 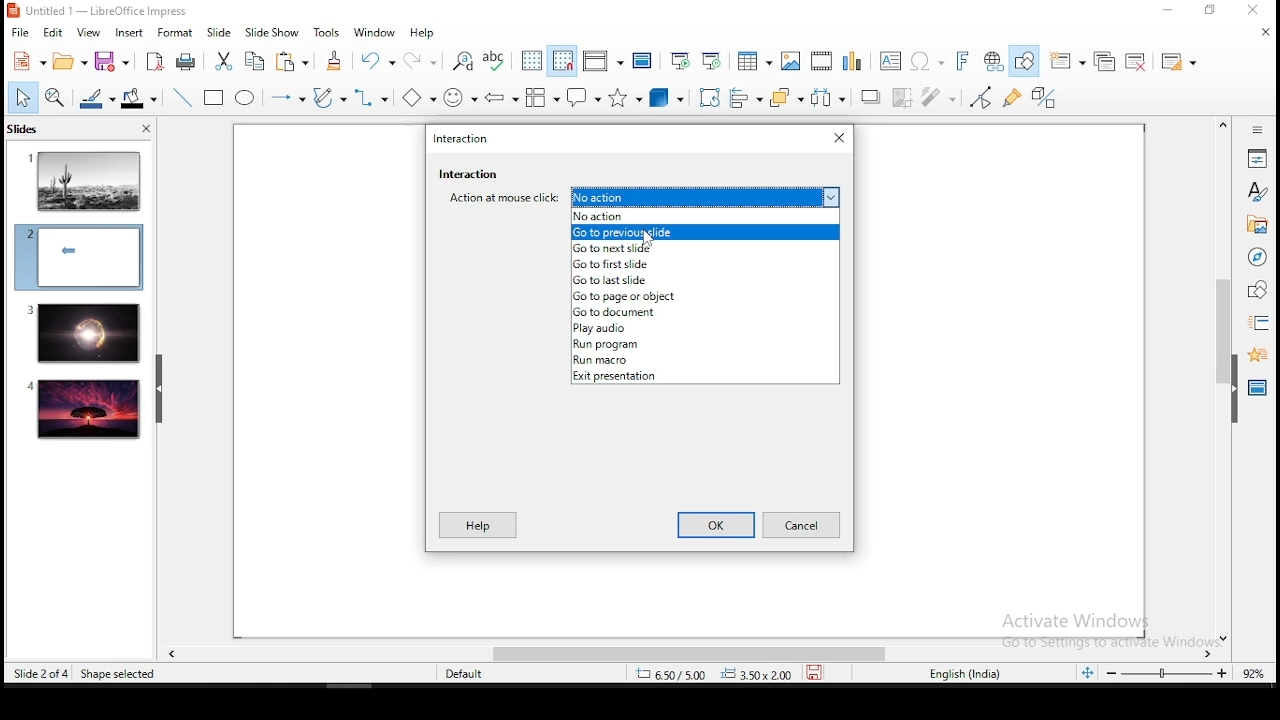 I want to click on select, so click(x=23, y=97).